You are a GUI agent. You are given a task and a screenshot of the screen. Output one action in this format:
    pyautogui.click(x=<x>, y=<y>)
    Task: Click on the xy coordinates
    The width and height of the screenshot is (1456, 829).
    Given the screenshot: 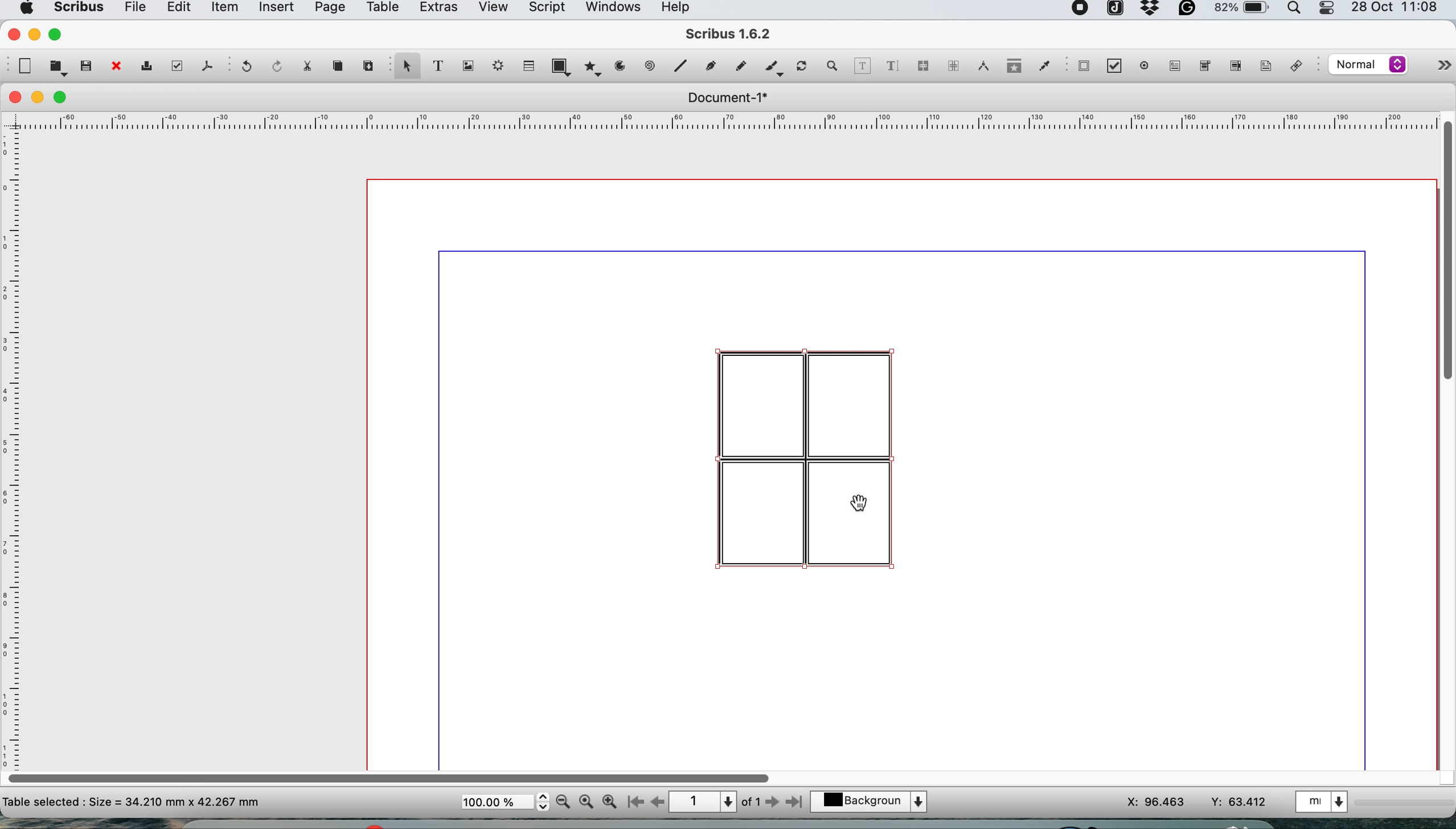 What is the action you would take?
    pyautogui.click(x=1197, y=802)
    